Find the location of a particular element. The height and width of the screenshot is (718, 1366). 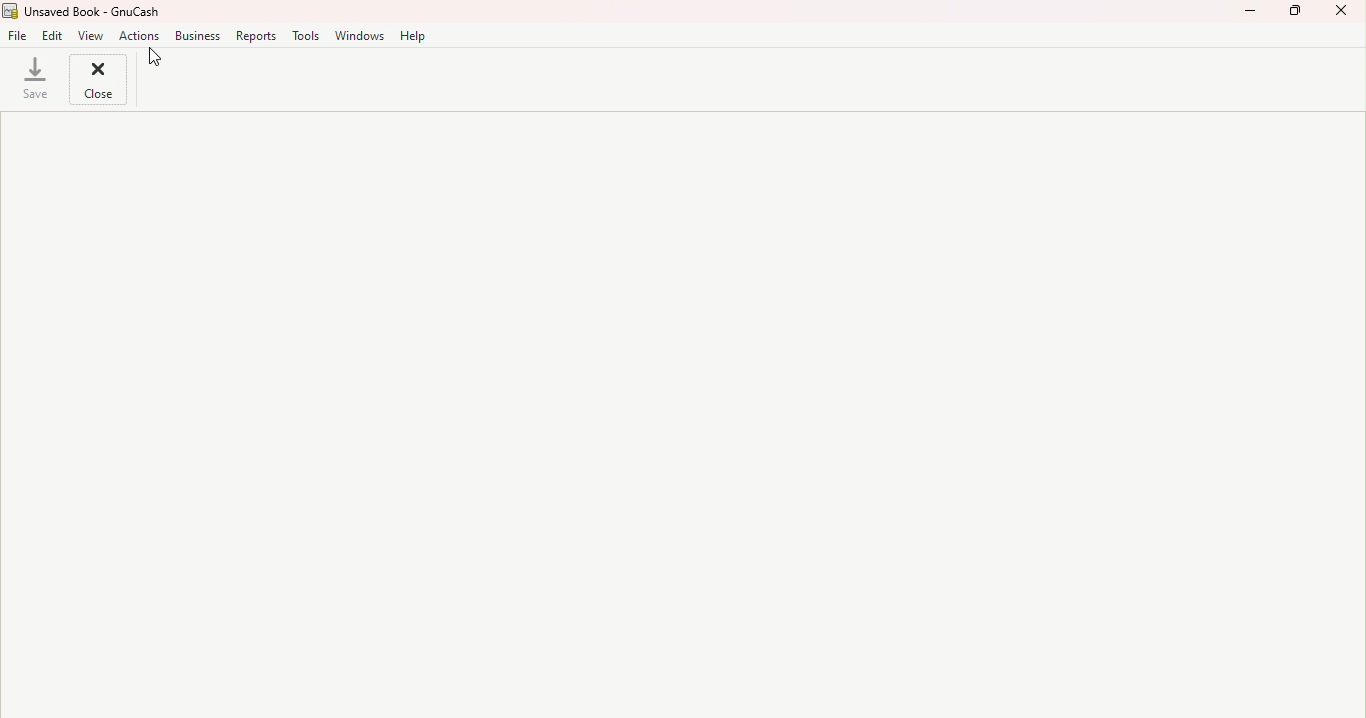

Help is located at coordinates (414, 37).